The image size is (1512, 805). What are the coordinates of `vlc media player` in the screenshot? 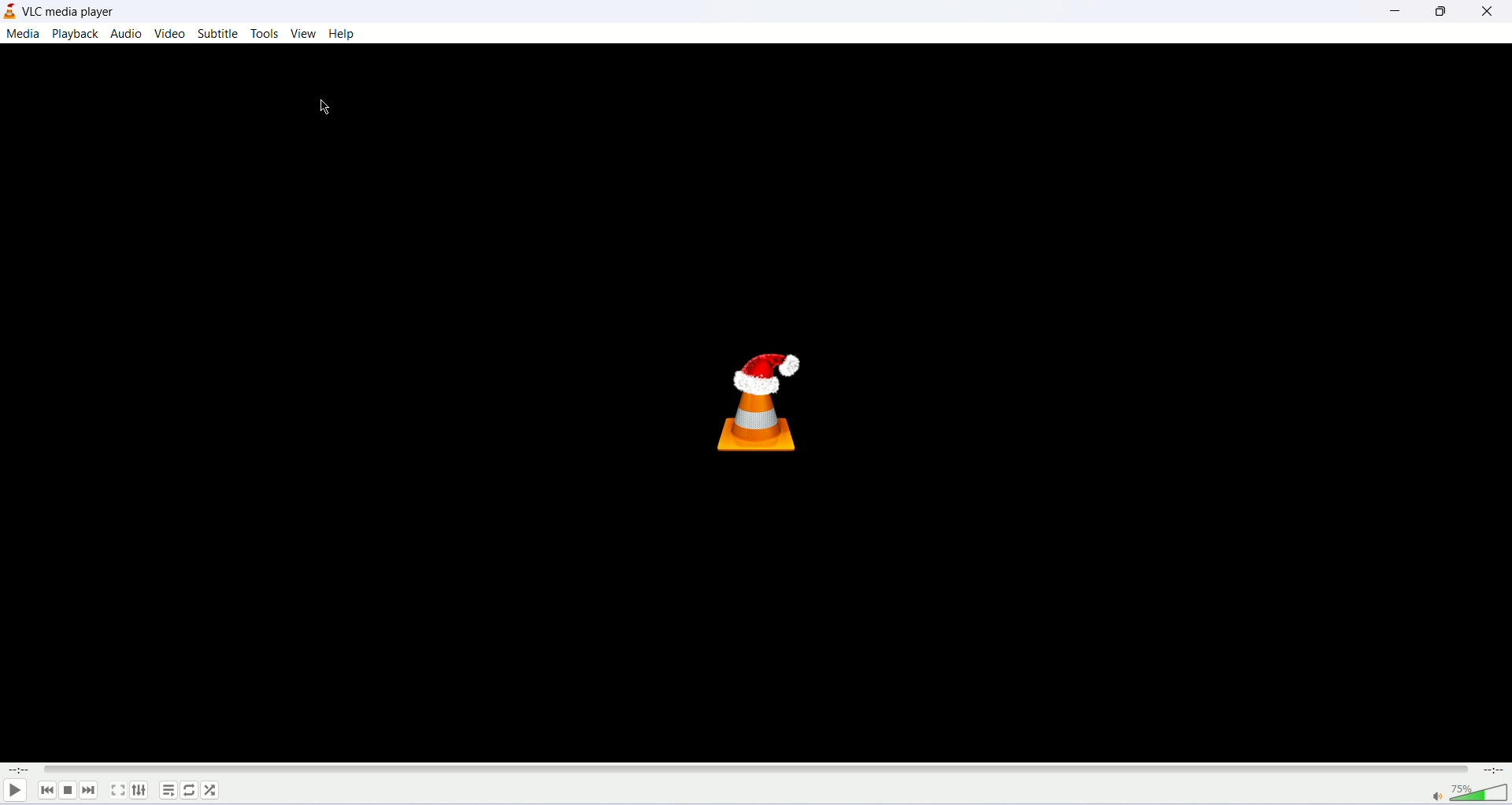 It's located at (73, 11).